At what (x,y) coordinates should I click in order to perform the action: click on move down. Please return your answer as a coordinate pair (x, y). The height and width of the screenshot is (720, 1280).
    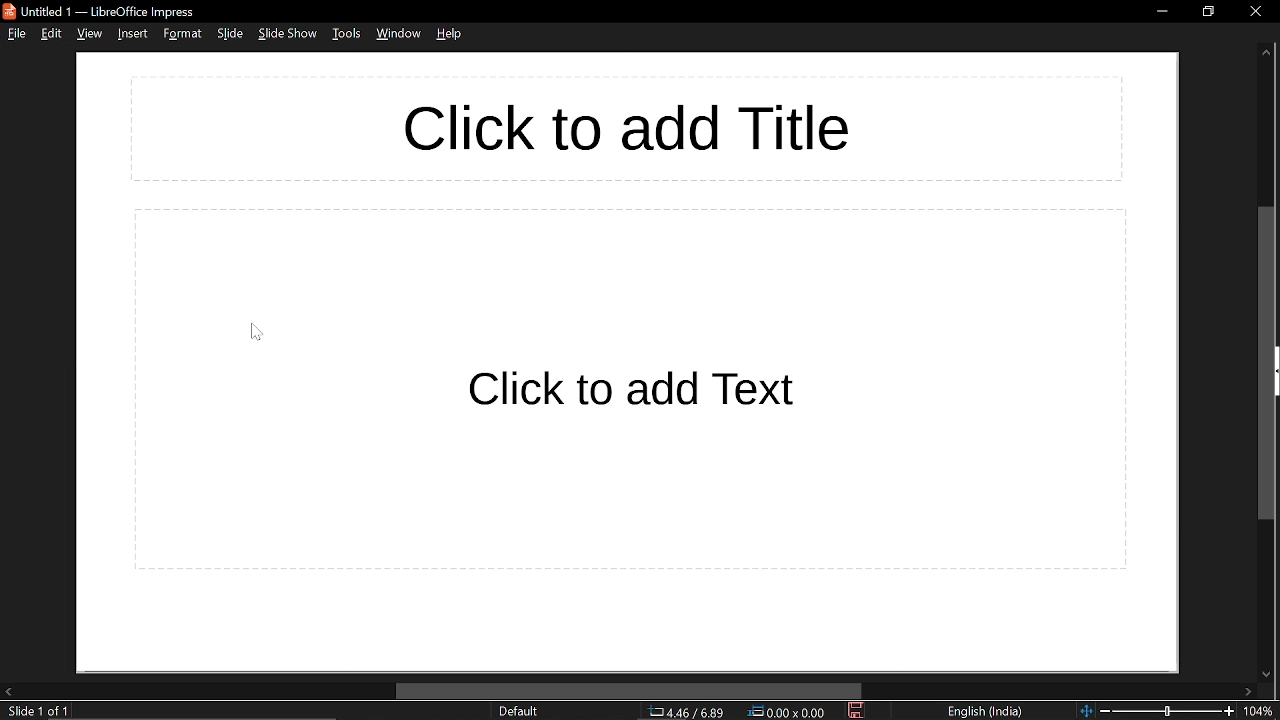
    Looking at the image, I should click on (1269, 670).